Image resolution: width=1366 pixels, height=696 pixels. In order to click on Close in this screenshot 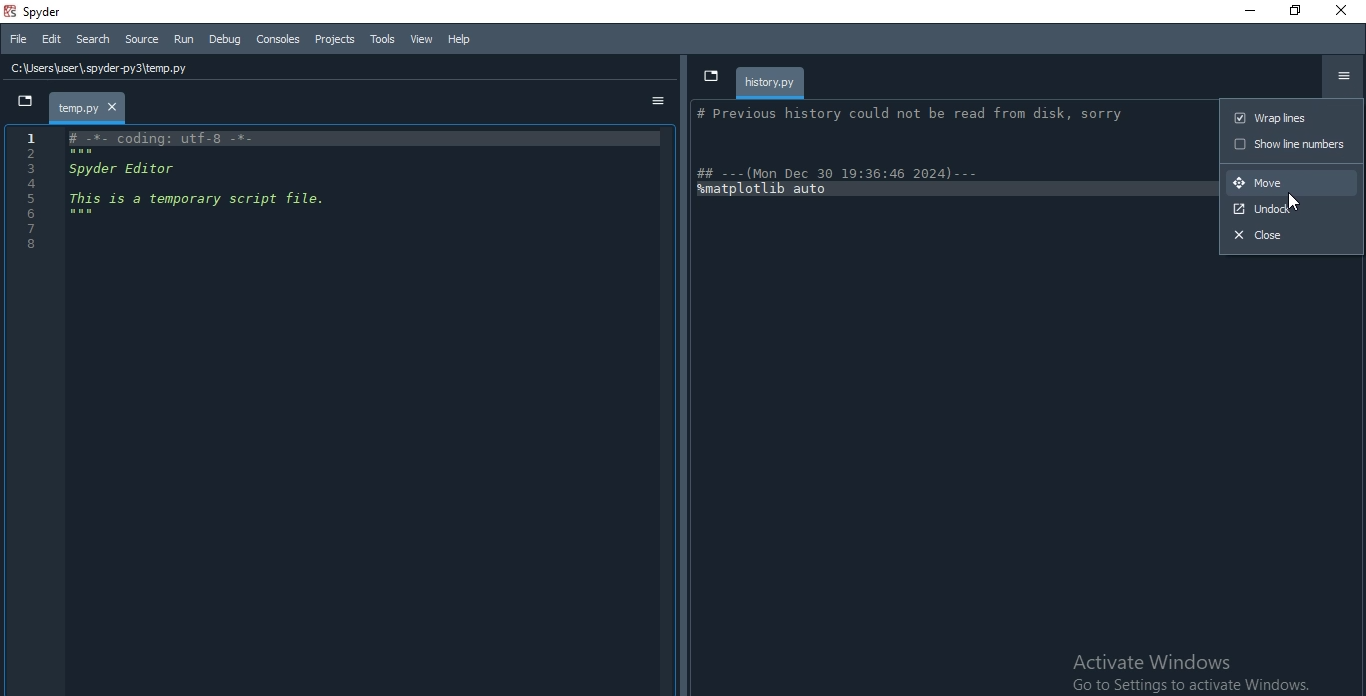, I will do `click(1345, 12)`.